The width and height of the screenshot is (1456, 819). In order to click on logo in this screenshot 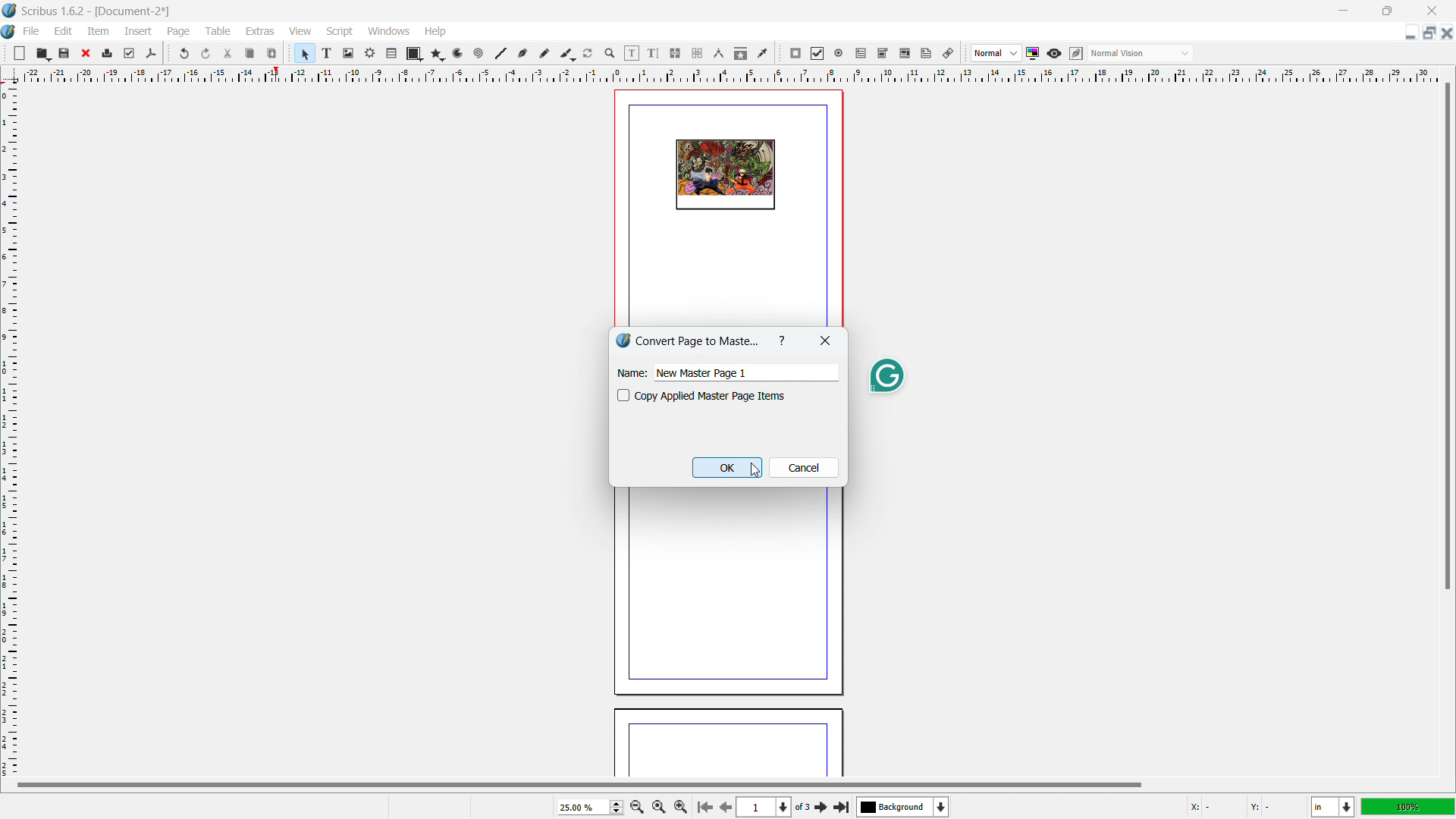, I will do `click(9, 33)`.